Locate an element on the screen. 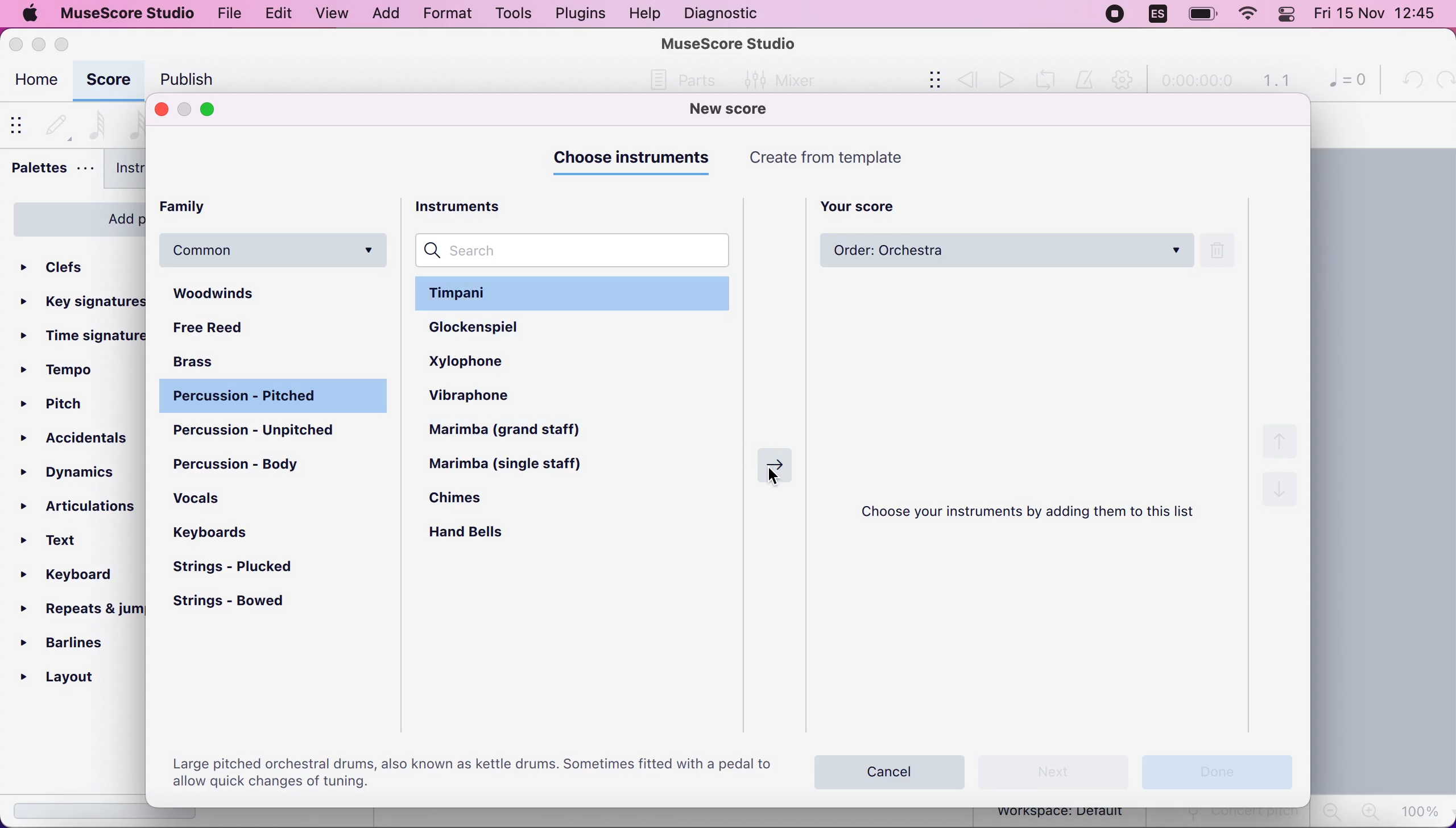  maximize is located at coordinates (67, 44).